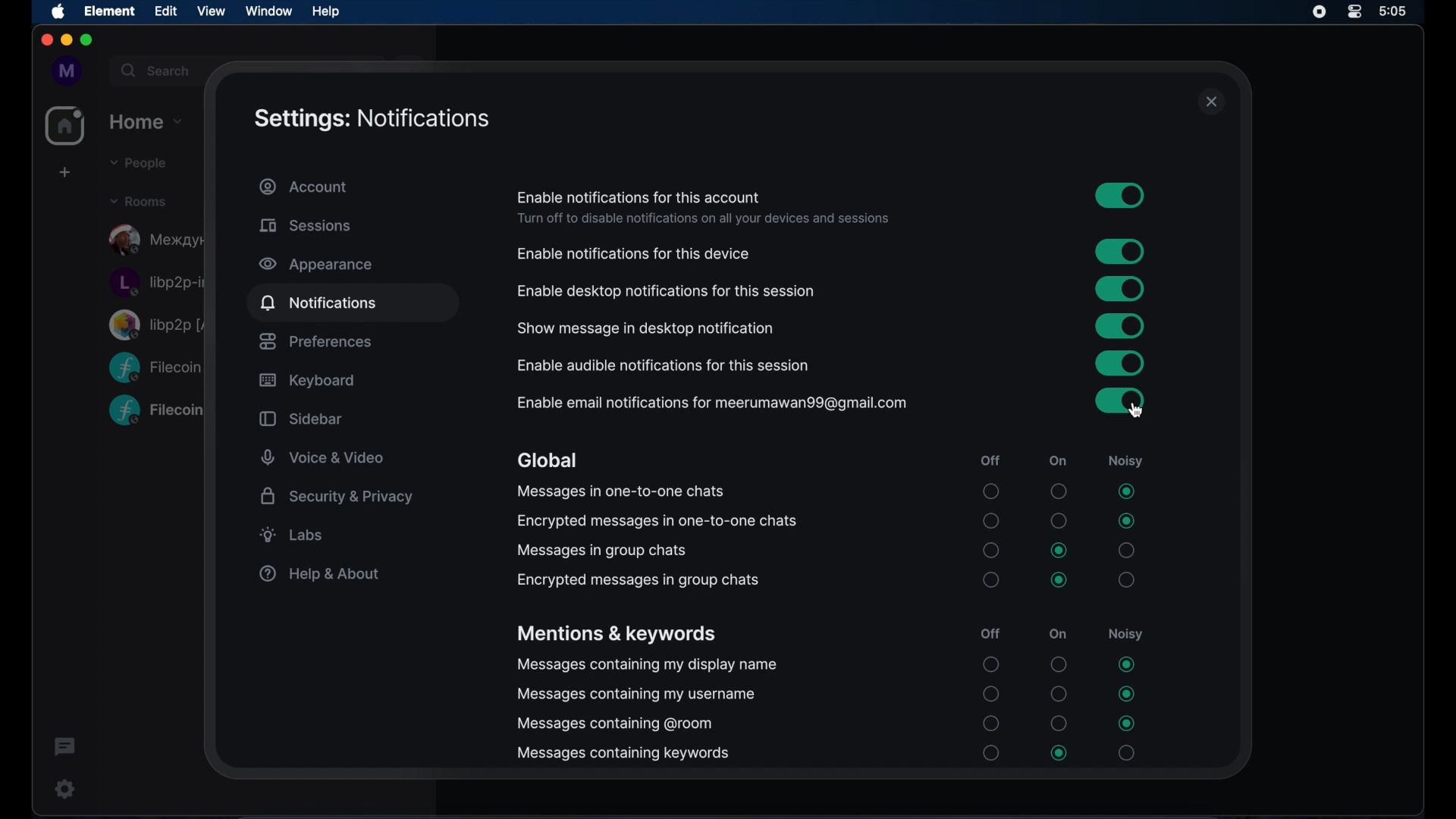 This screenshot has height=819, width=1456. What do you see at coordinates (634, 254) in the screenshot?
I see `enable notifications for this device` at bounding box center [634, 254].